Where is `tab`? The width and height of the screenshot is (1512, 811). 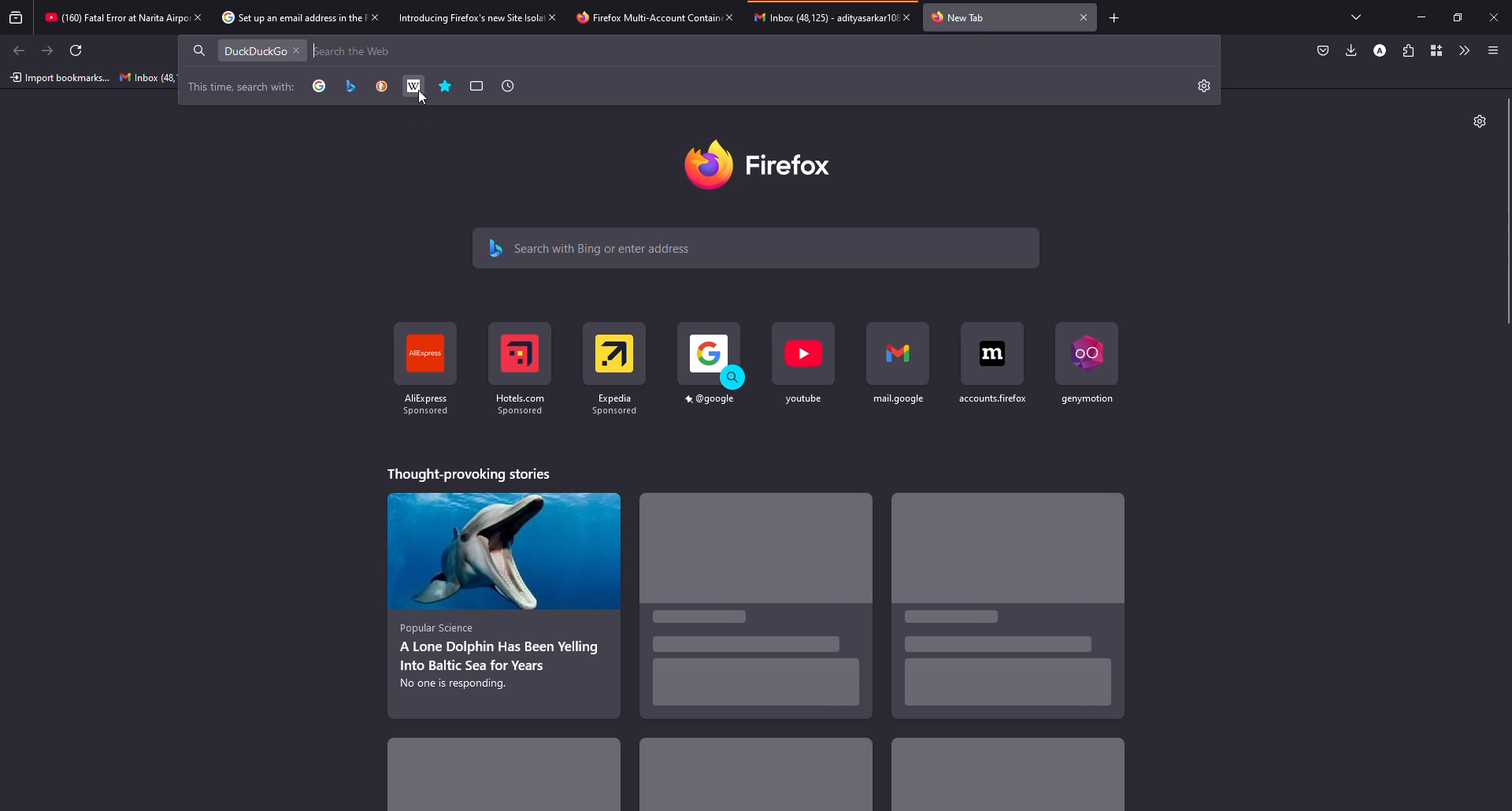 tab is located at coordinates (109, 15).